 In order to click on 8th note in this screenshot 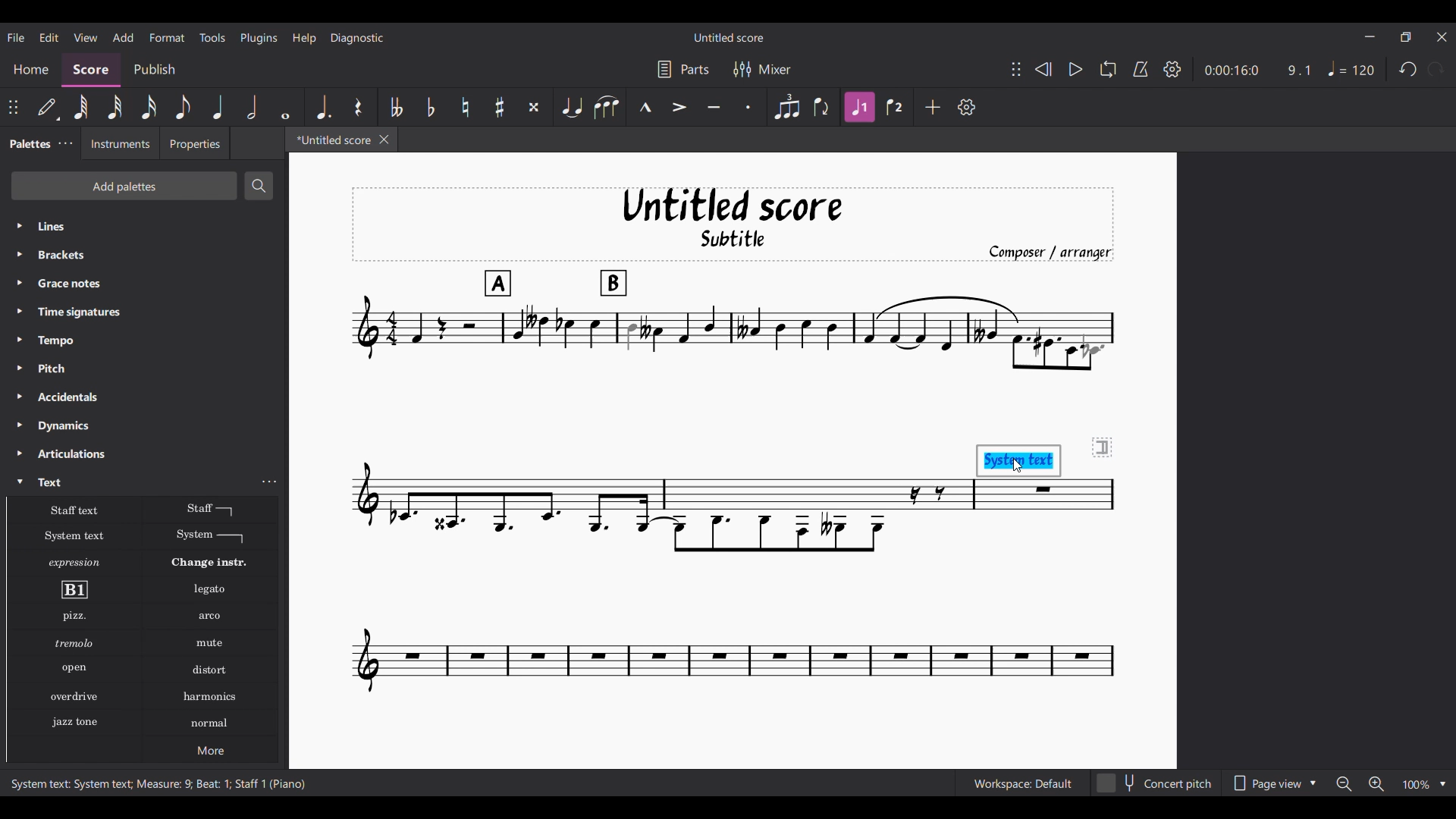, I will do `click(183, 107)`.